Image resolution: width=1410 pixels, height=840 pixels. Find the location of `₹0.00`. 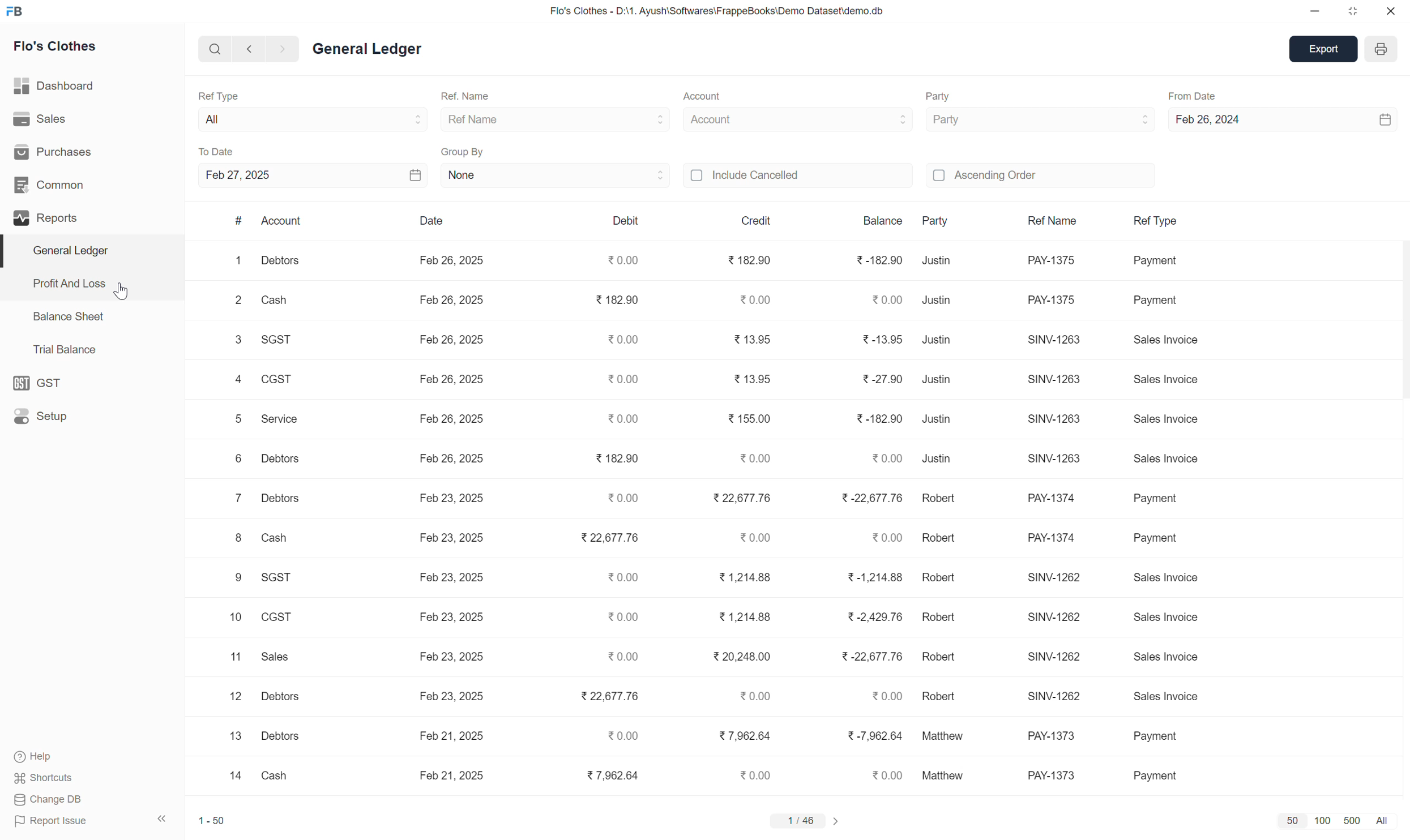

₹0.00 is located at coordinates (751, 460).